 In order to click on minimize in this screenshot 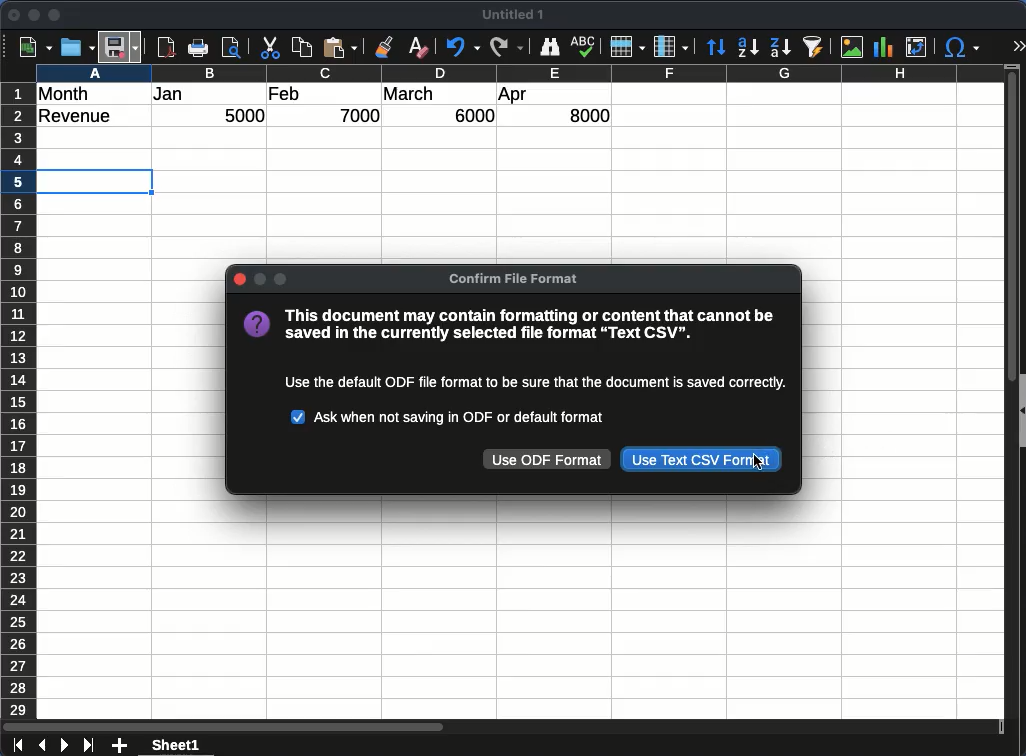, I will do `click(35, 15)`.